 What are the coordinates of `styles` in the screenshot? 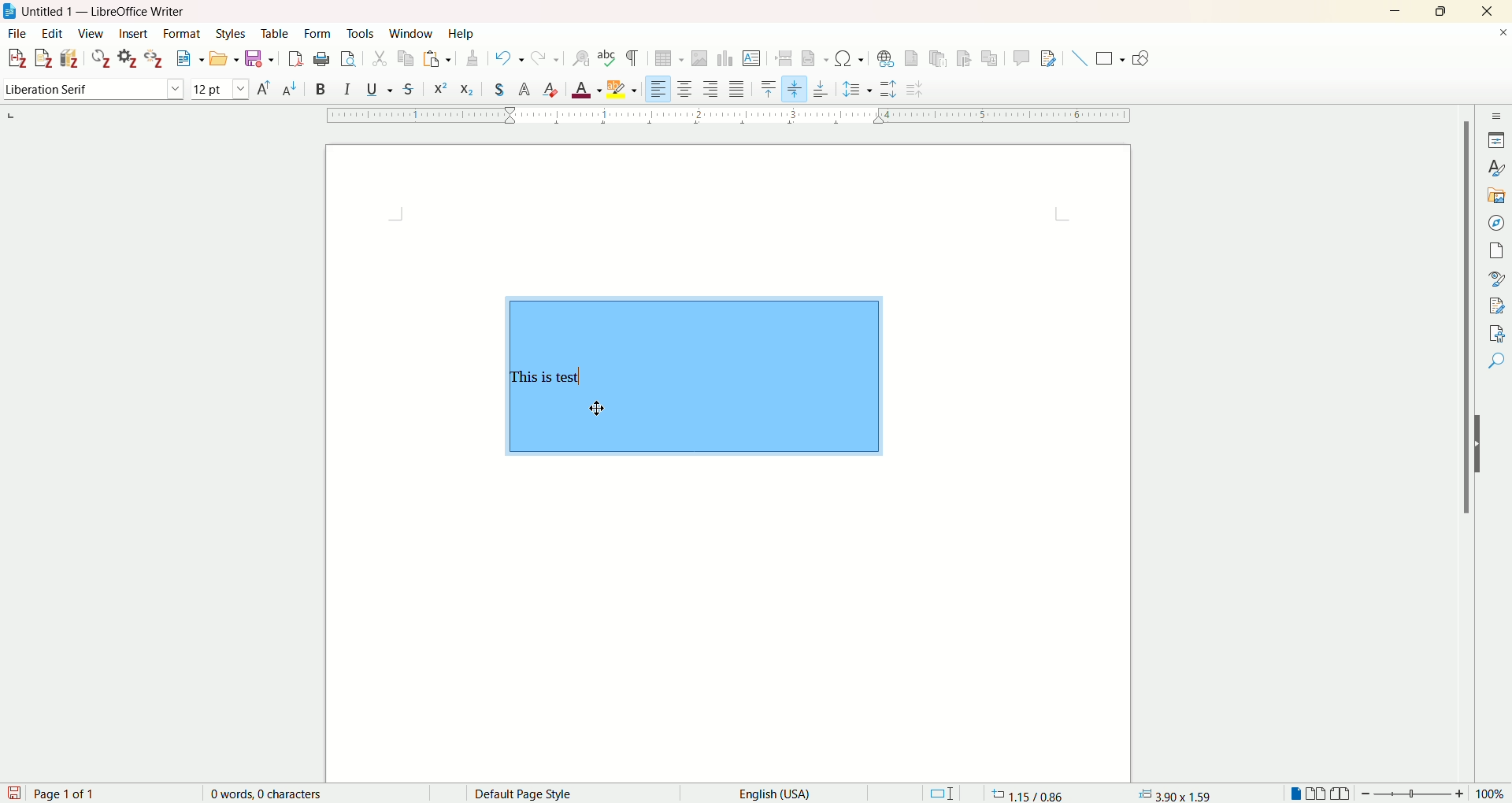 It's located at (233, 33).